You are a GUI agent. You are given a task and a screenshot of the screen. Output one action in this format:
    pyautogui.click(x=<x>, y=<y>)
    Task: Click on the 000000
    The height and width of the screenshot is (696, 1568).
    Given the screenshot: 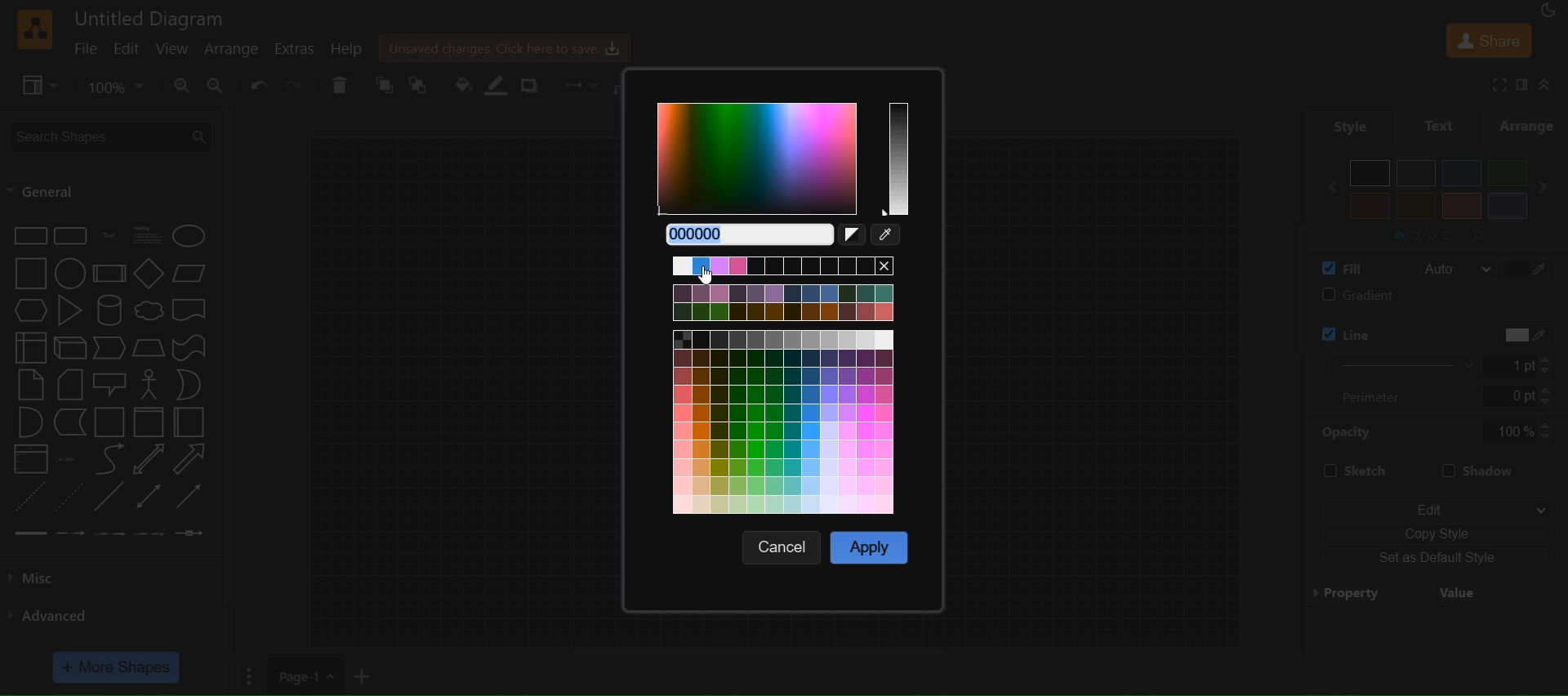 What is the action you would take?
    pyautogui.click(x=743, y=234)
    